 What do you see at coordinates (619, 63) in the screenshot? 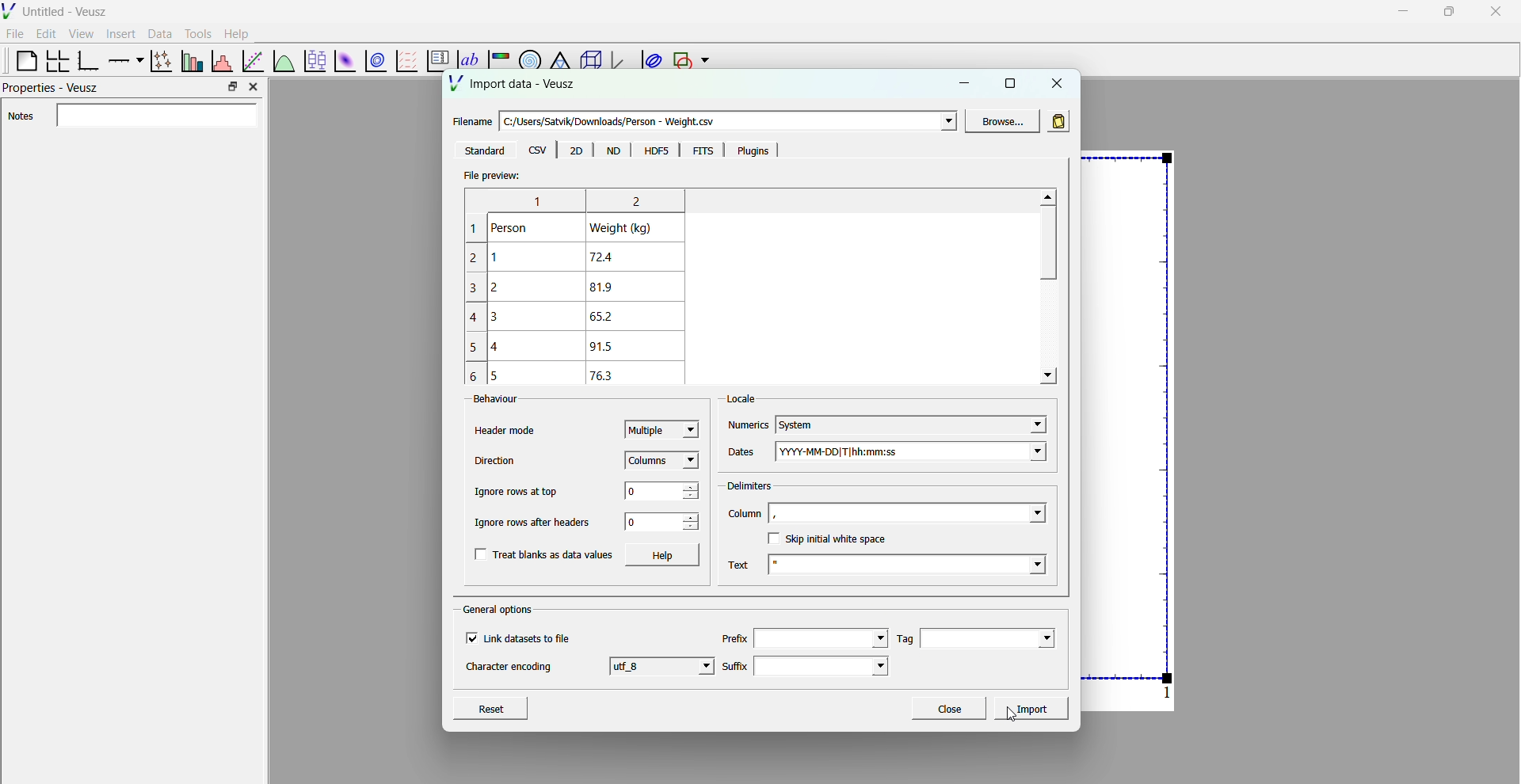
I see `3d graph` at bounding box center [619, 63].